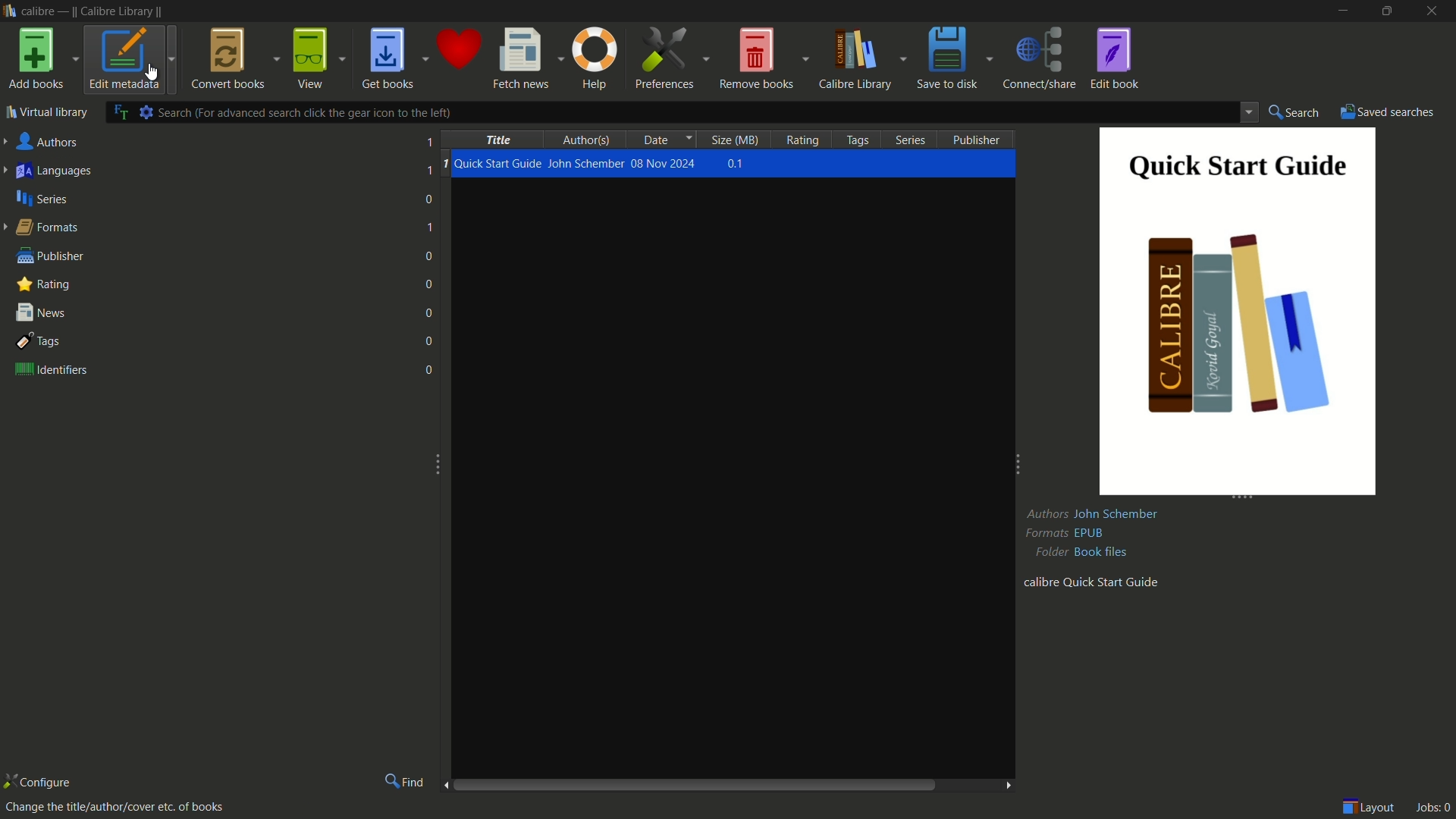 The height and width of the screenshot is (819, 1456). What do you see at coordinates (45, 59) in the screenshot?
I see `add books` at bounding box center [45, 59].